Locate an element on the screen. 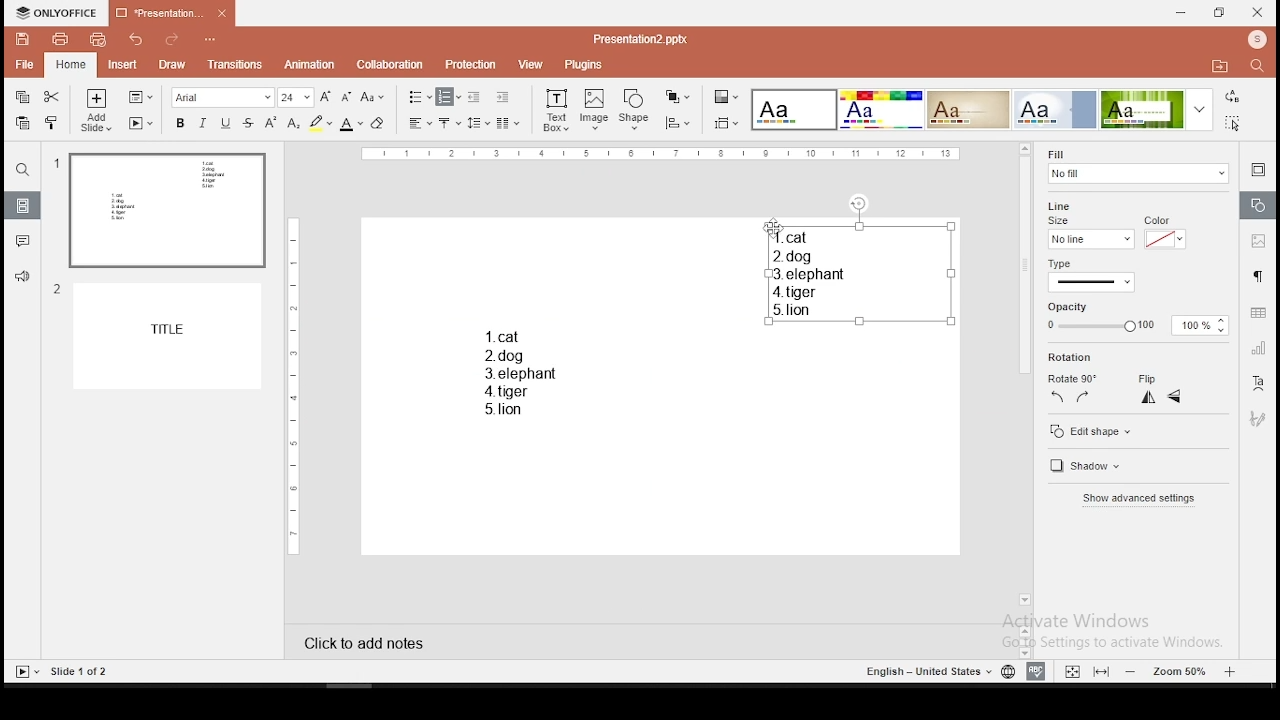 The height and width of the screenshot is (720, 1280). English is located at coordinates (920, 671).